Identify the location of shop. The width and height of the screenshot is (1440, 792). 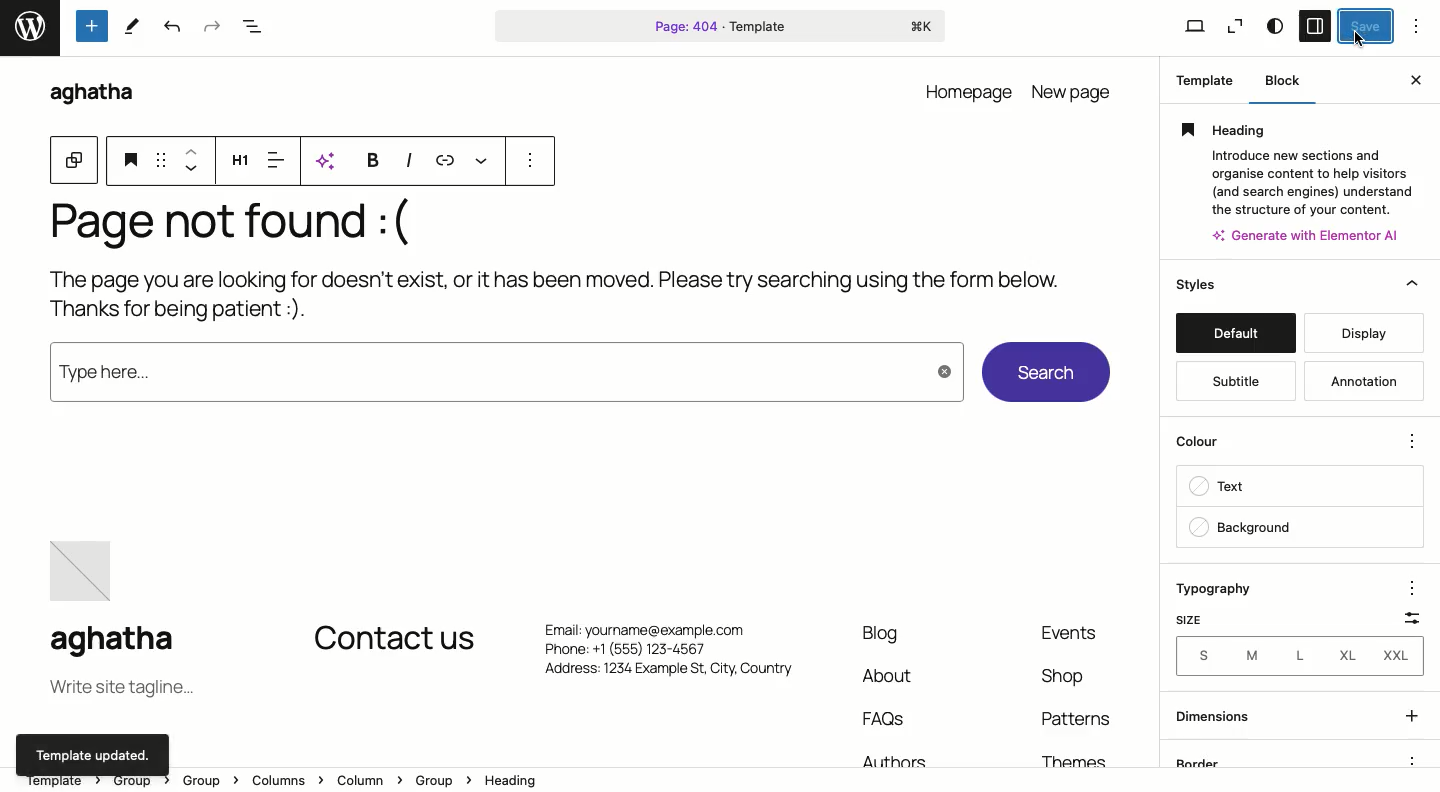
(1060, 676).